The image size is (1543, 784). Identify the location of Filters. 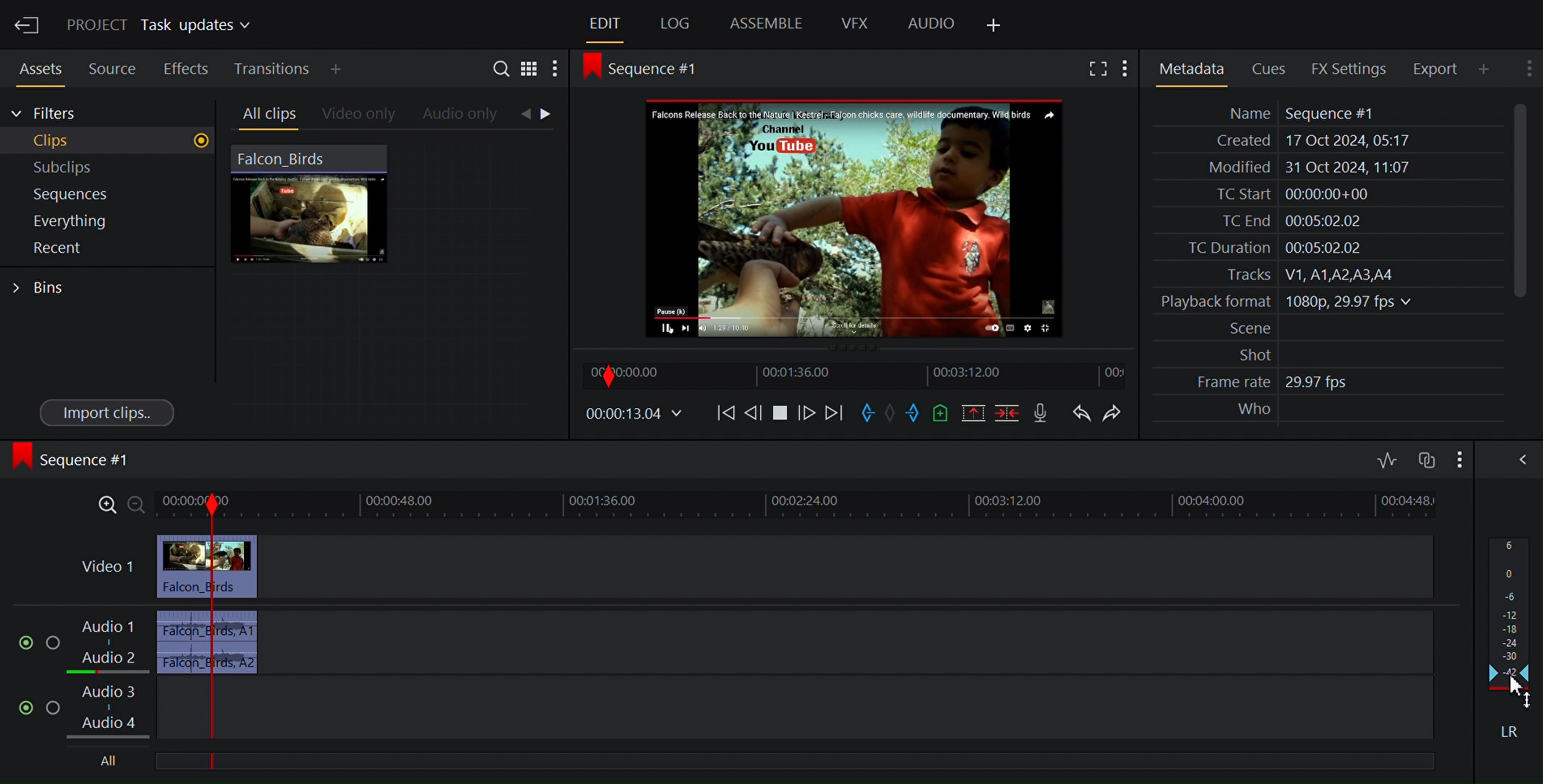
(46, 114).